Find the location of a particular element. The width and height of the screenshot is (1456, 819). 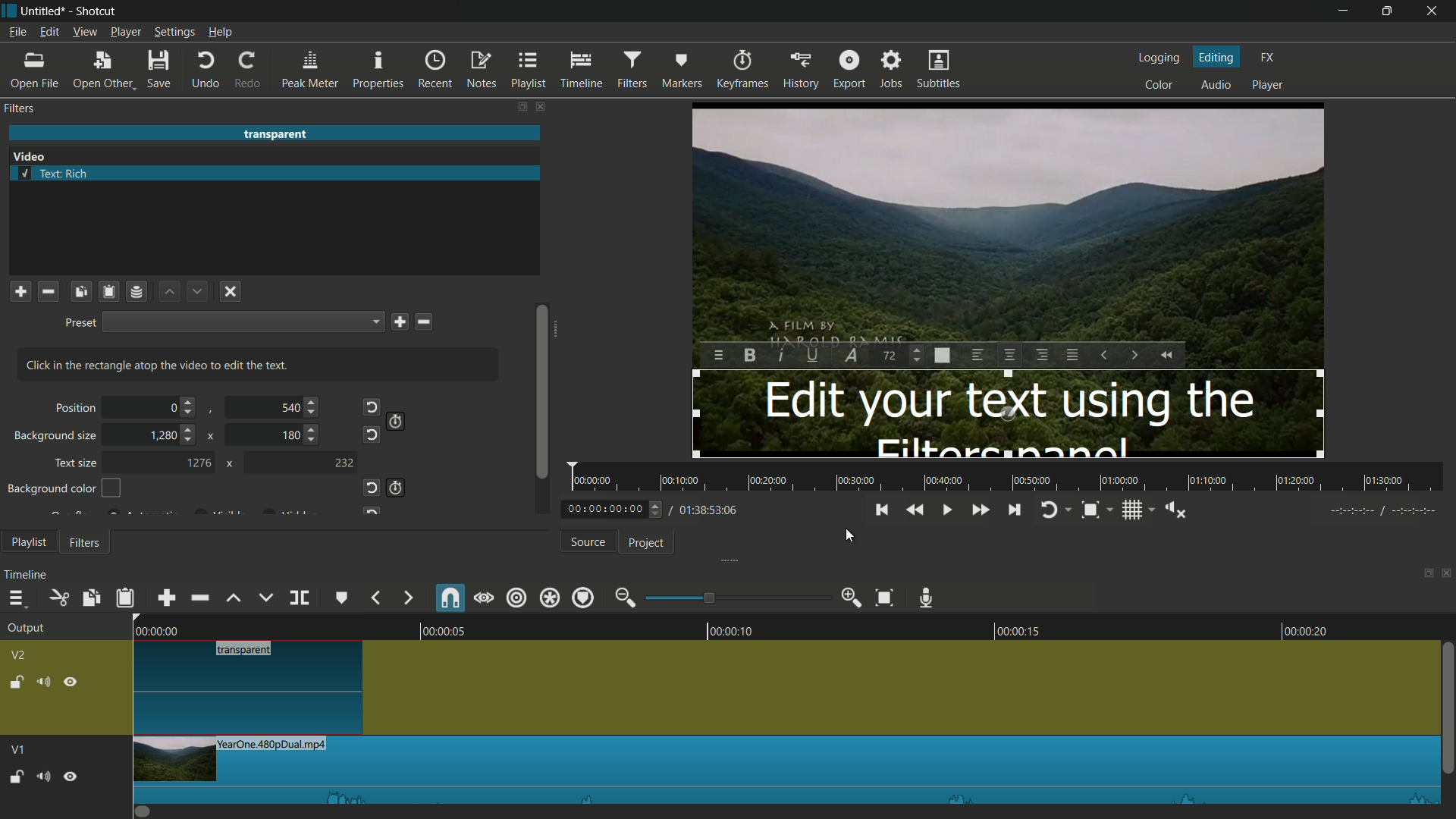

00:00:05 is located at coordinates (435, 628).